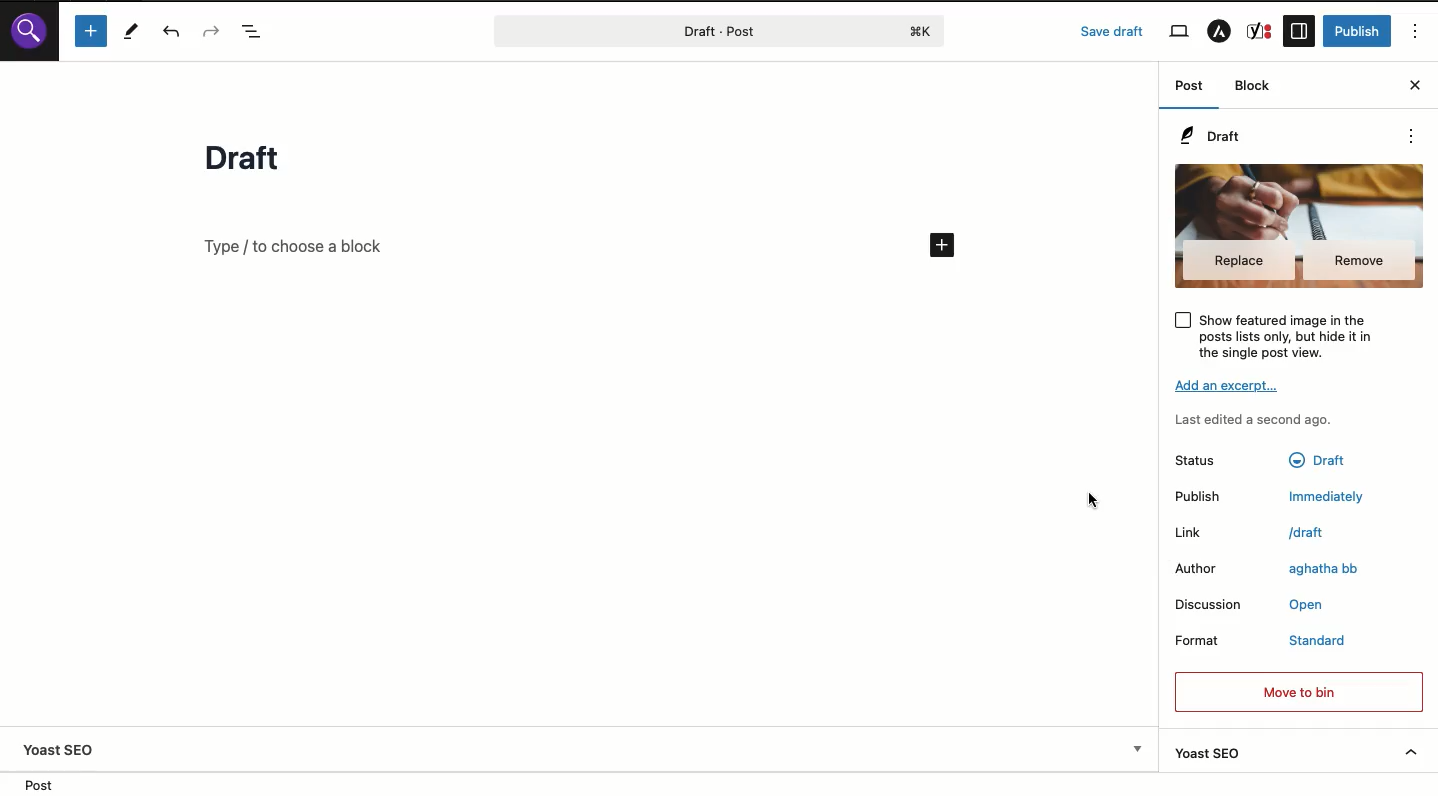  Describe the element at coordinates (1322, 638) in the screenshot. I see `text` at that location.